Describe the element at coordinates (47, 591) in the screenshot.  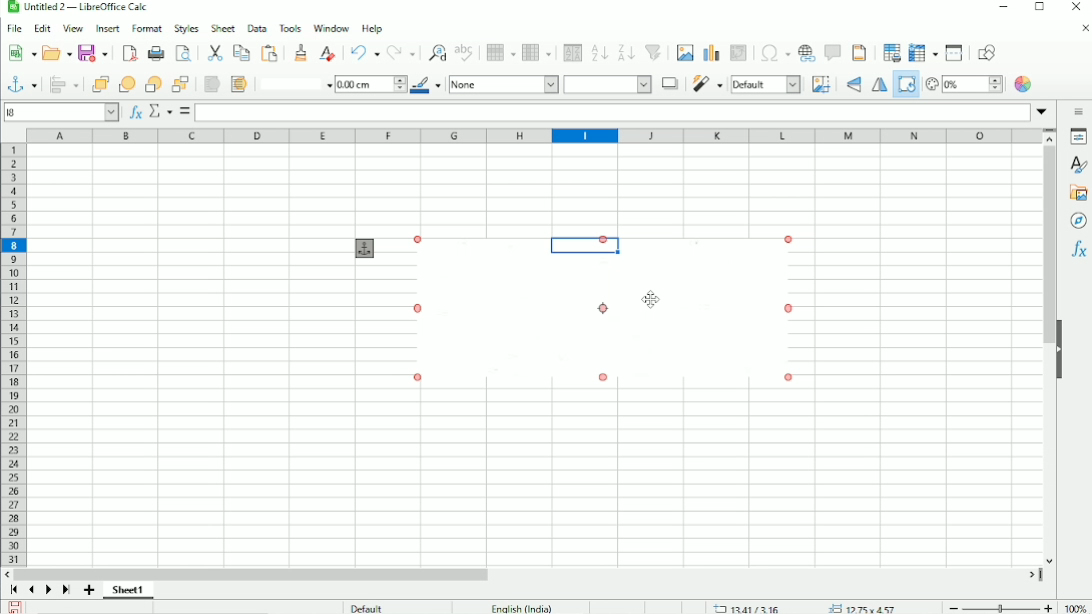
I see `Scroll to next sheet` at that location.